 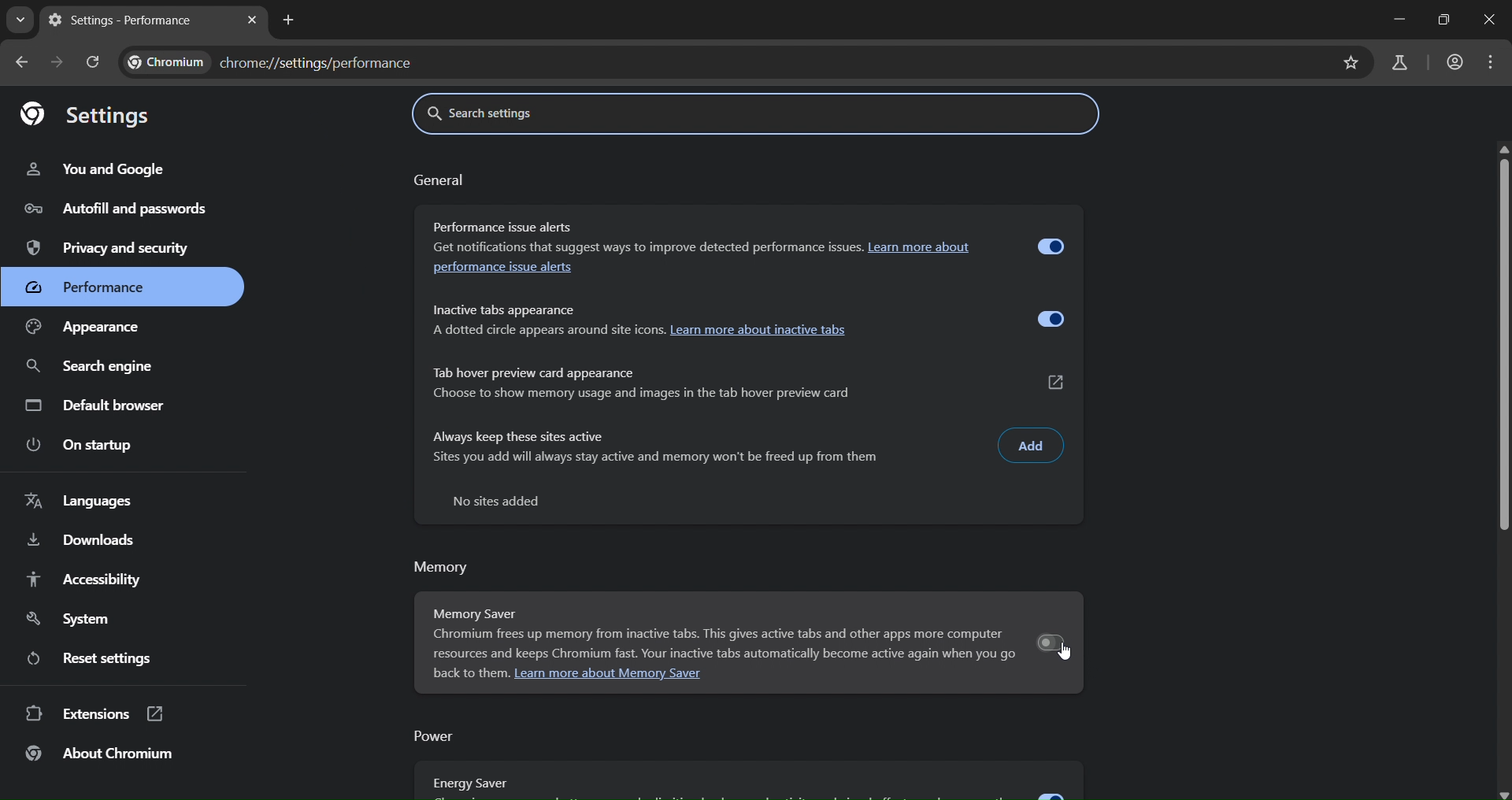 What do you see at coordinates (430, 735) in the screenshot?
I see `power` at bounding box center [430, 735].